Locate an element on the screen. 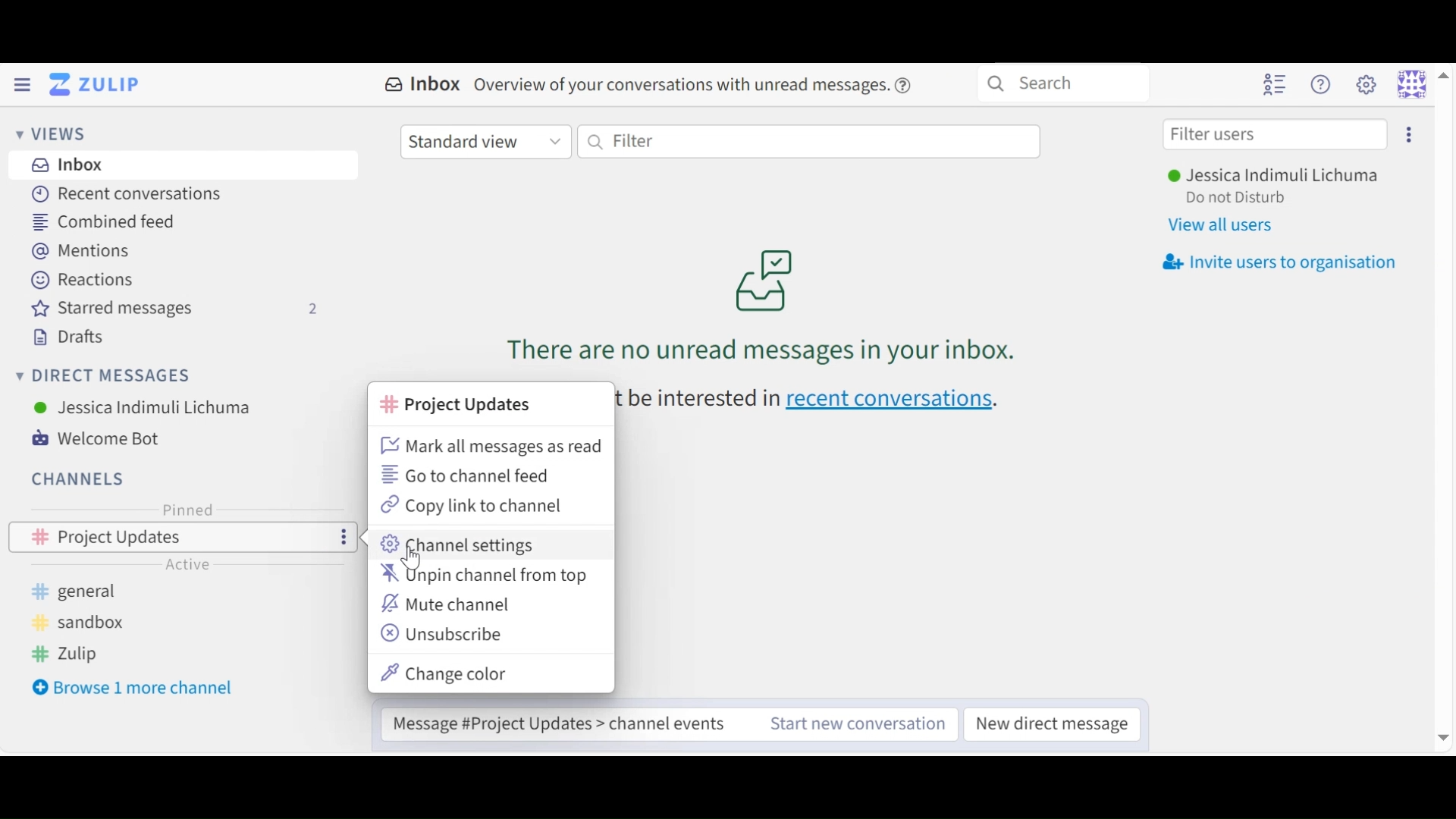 This screenshot has width=1456, height=819. Search is located at coordinates (1064, 84).